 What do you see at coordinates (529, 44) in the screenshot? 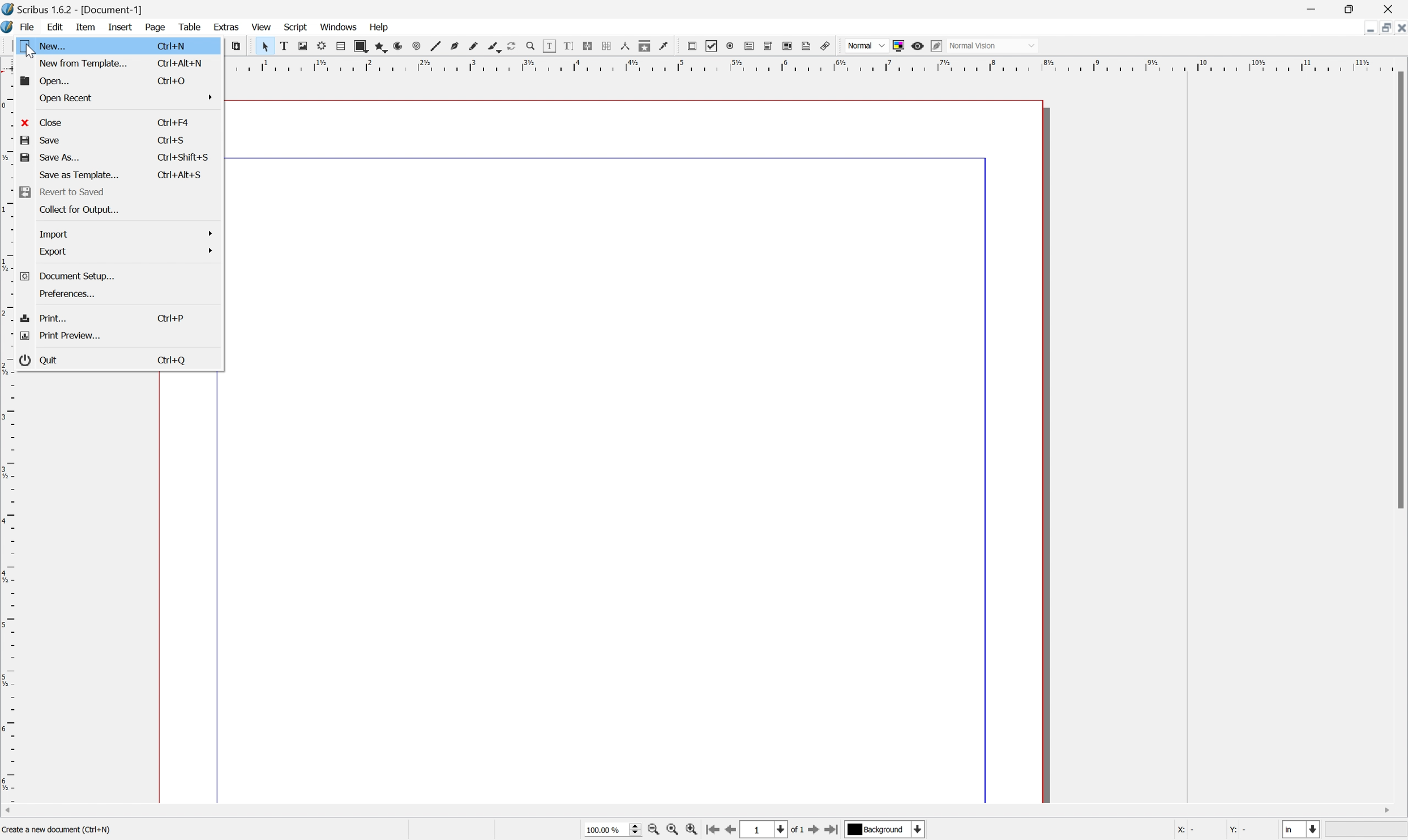
I see `Zoom in or out` at bounding box center [529, 44].